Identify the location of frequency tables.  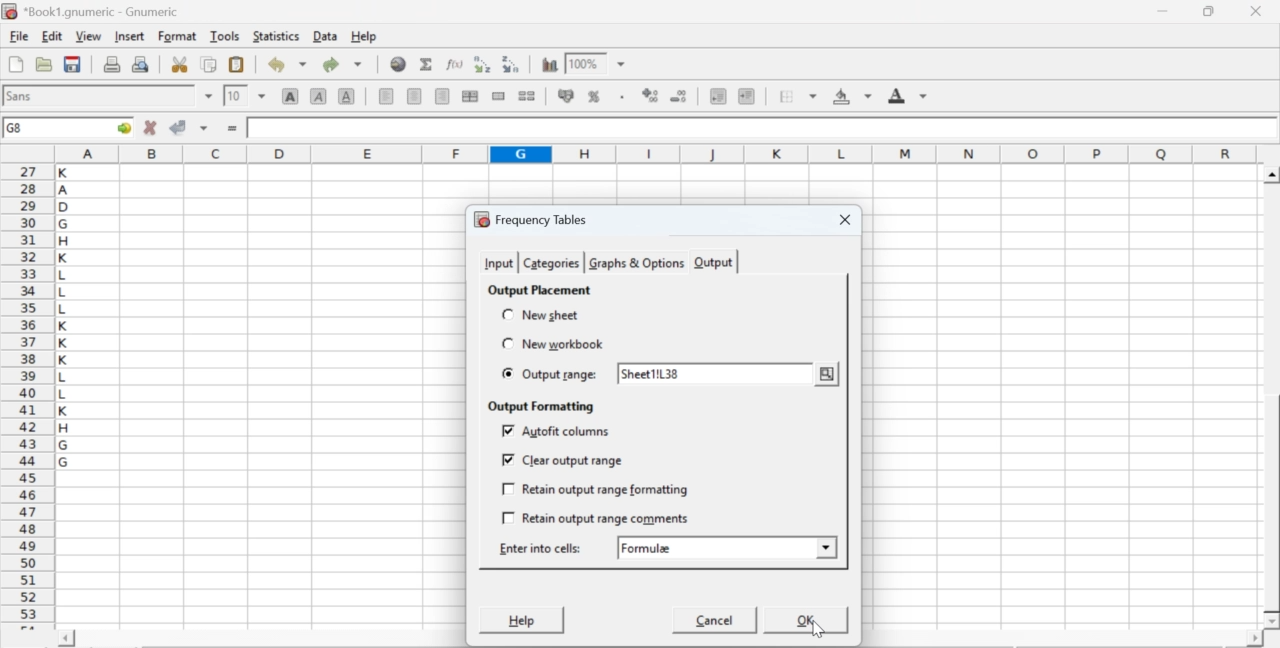
(531, 219).